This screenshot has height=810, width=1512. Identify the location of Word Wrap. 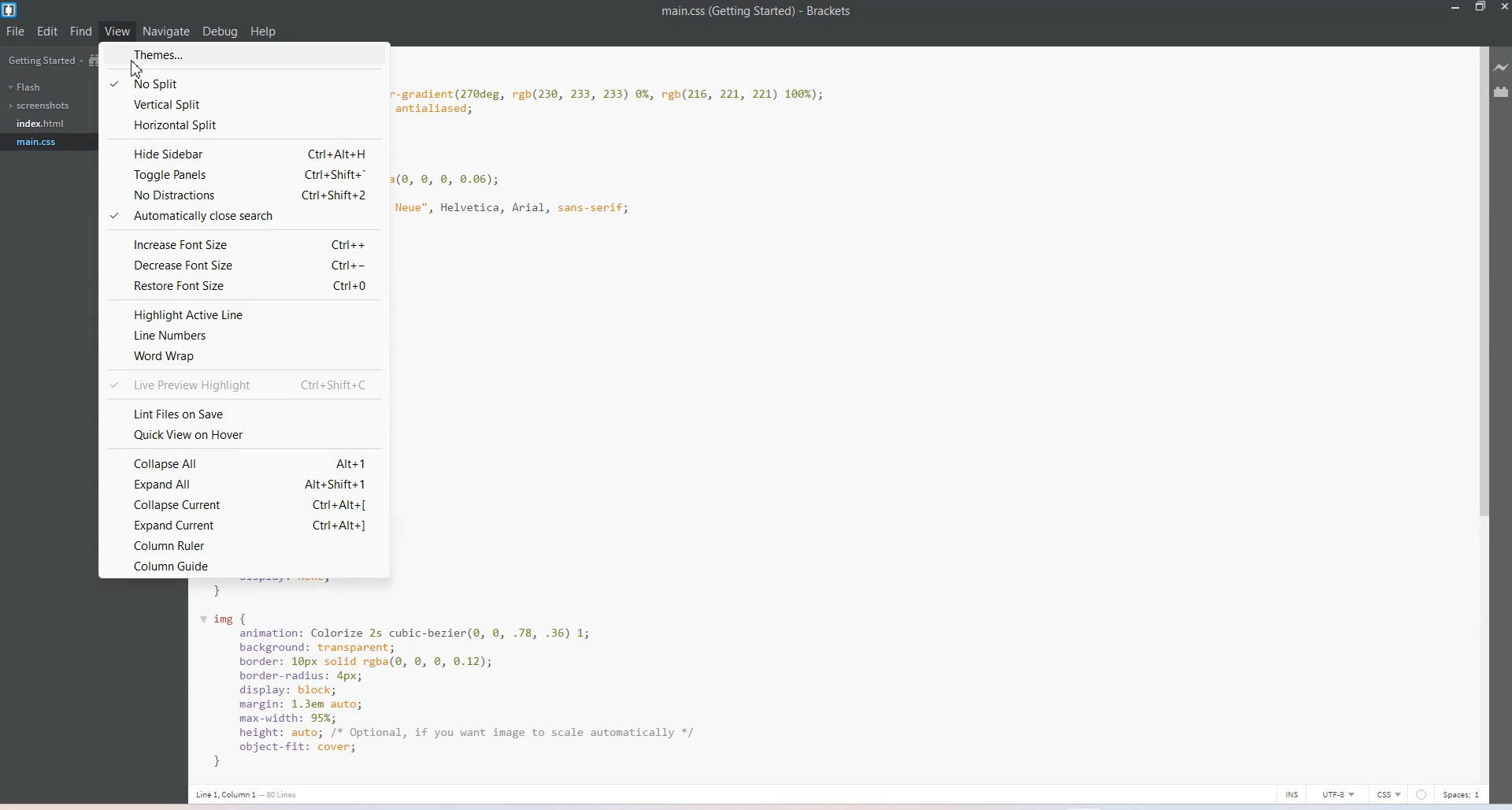
(240, 357).